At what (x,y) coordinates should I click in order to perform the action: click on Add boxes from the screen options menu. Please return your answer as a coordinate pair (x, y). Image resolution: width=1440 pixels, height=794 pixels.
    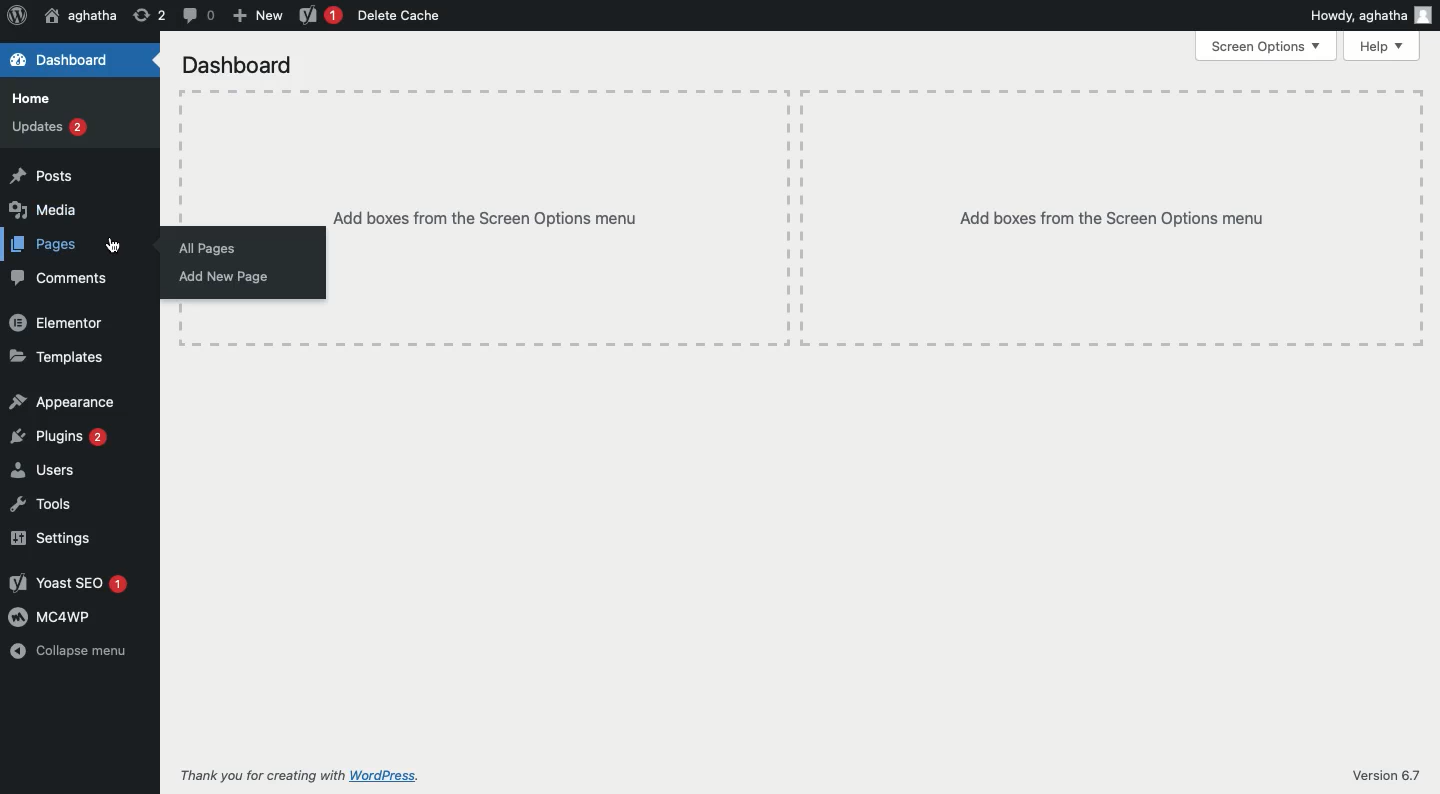
    Looking at the image, I should click on (876, 218).